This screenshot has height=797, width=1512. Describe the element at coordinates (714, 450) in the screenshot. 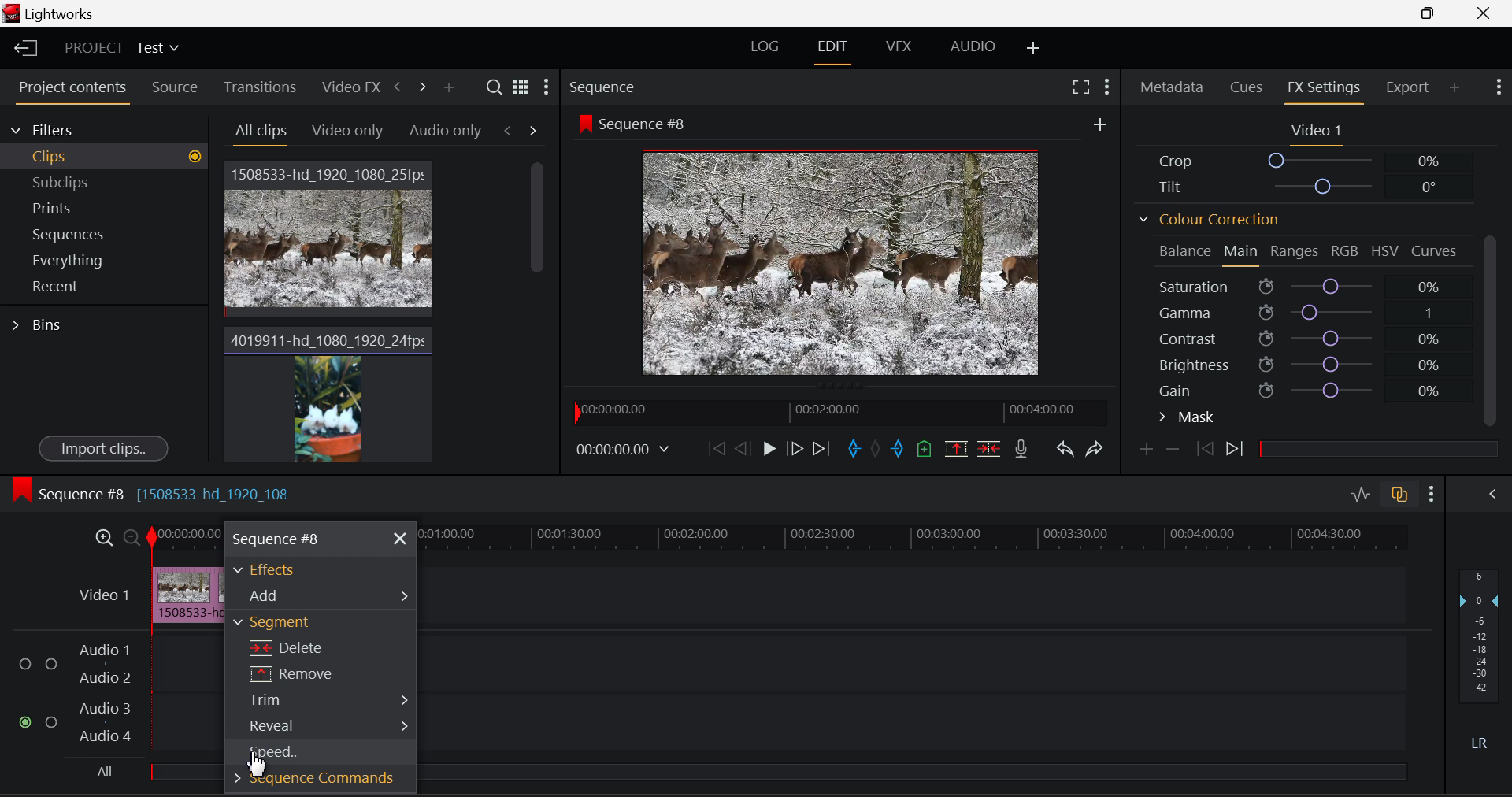

I see `To Beginning` at that location.